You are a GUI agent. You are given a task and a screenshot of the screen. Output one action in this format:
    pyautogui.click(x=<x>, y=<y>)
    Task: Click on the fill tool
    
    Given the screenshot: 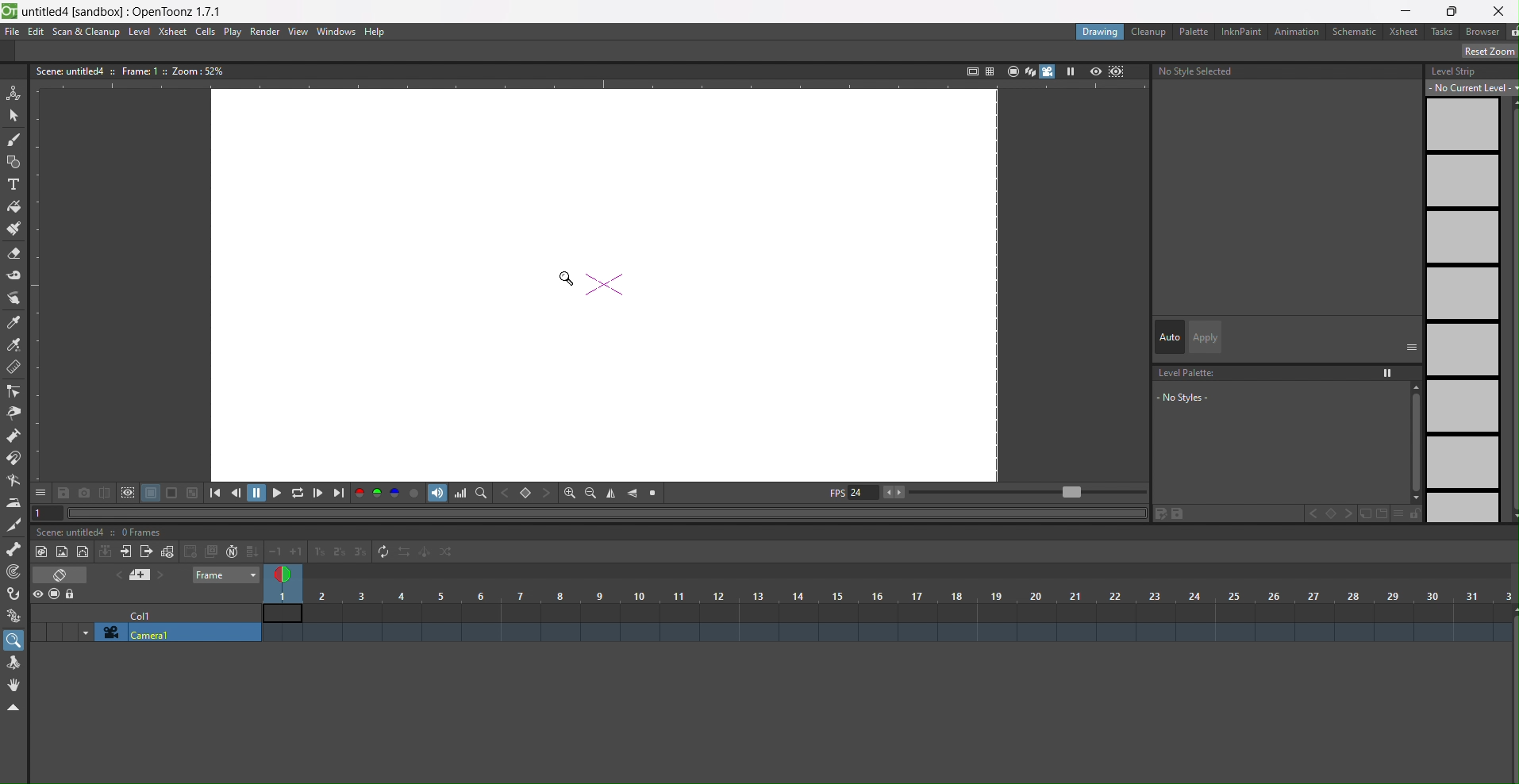 What is the action you would take?
    pyautogui.click(x=16, y=204)
    